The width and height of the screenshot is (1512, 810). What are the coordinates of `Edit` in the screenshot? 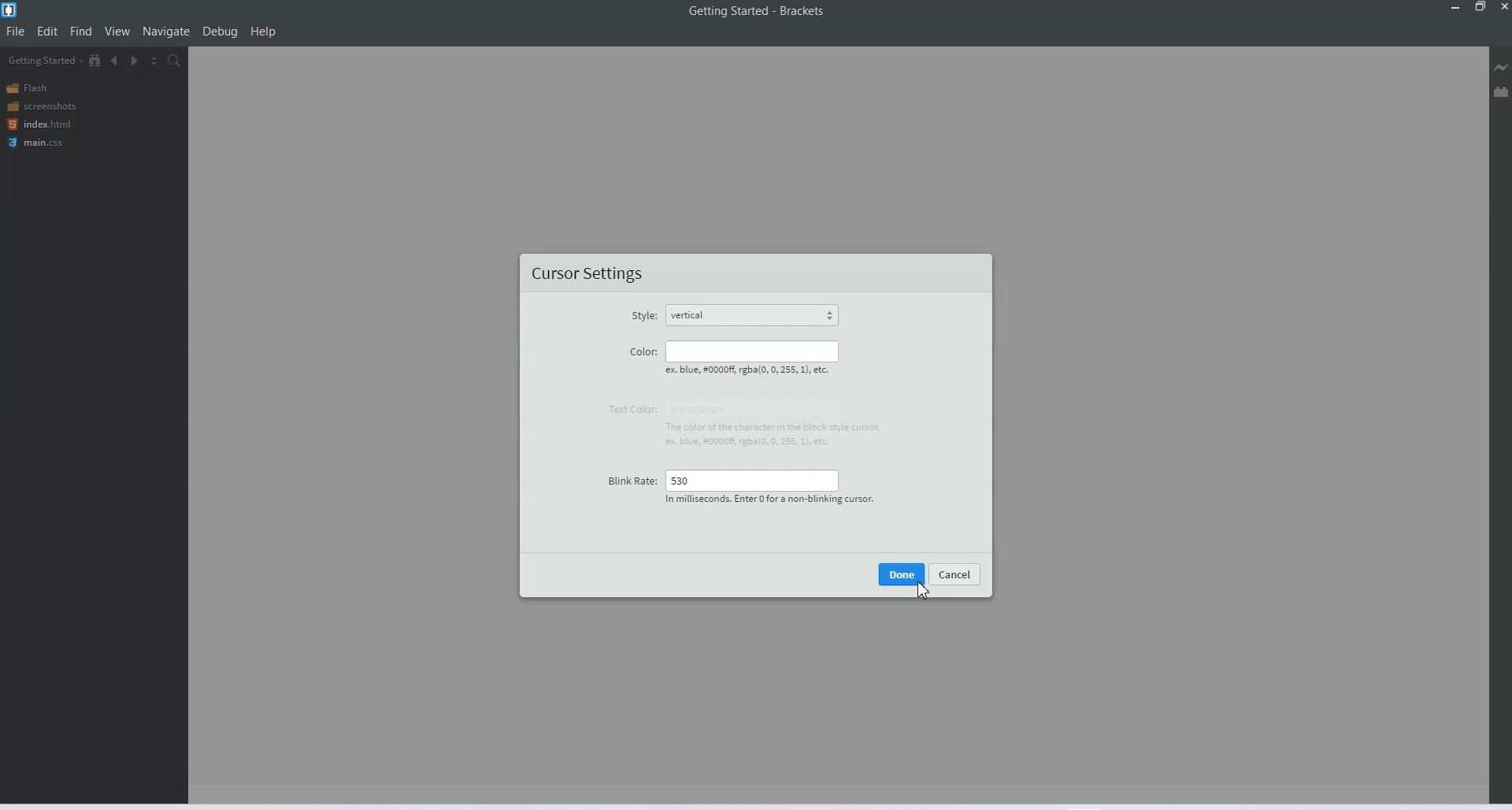 It's located at (47, 32).